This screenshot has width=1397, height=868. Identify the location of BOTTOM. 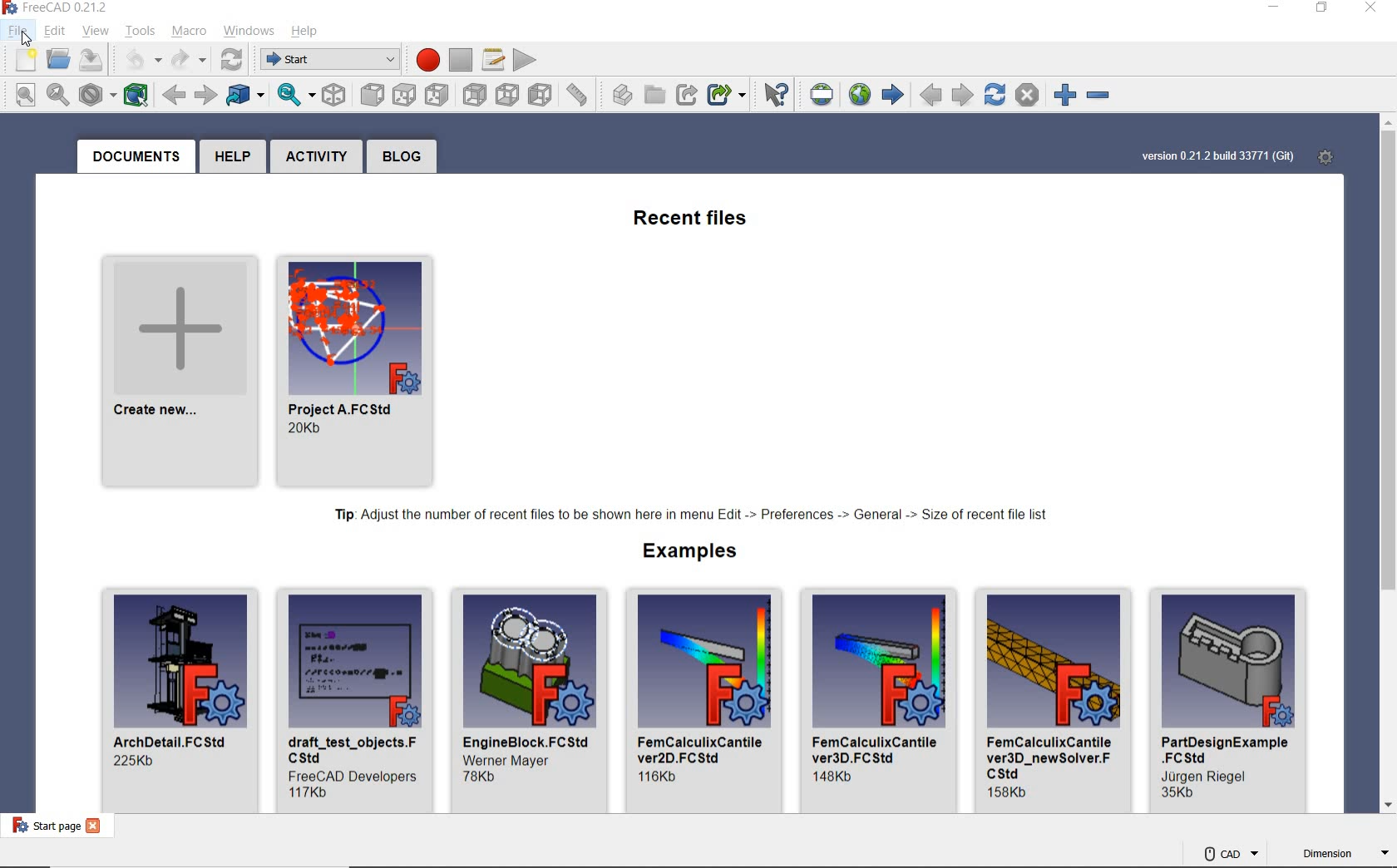
(506, 94).